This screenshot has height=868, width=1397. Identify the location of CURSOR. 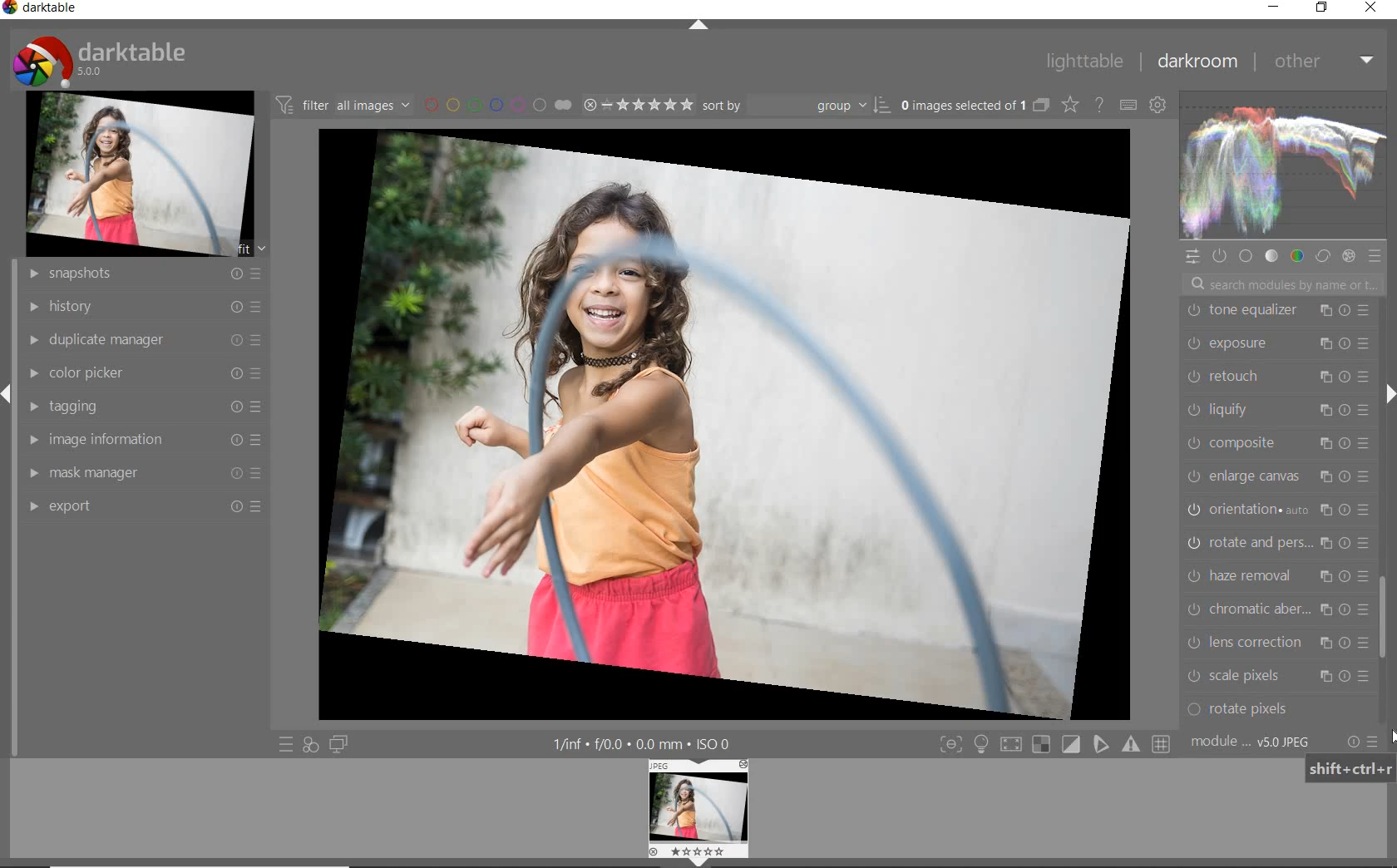
(1388, 324).